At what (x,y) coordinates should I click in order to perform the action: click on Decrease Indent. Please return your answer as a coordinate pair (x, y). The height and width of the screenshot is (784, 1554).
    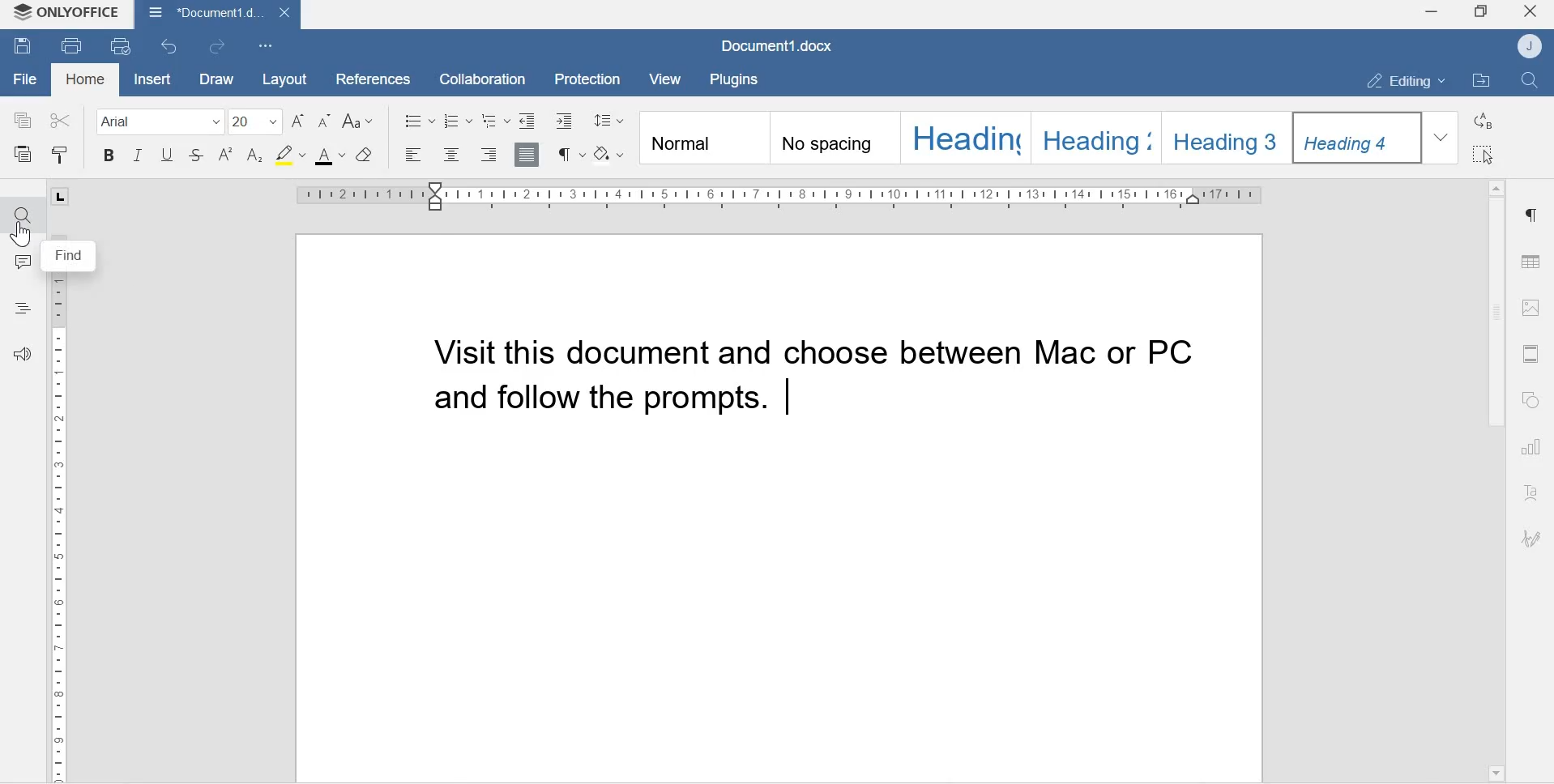
    Looking at the image, I should click on (568, 120).